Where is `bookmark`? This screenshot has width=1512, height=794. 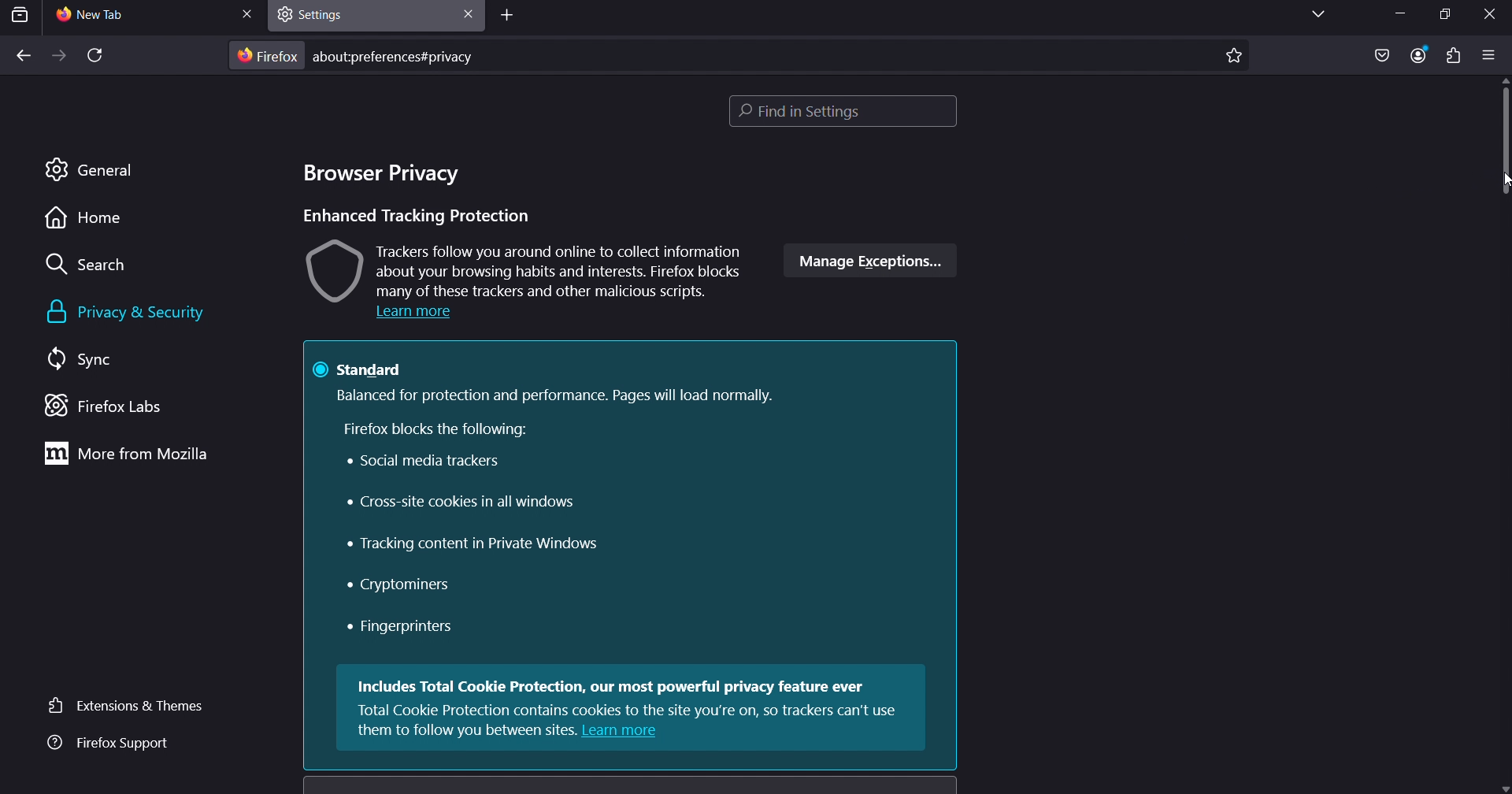 bookmark is located at coordinates (1234, 54).